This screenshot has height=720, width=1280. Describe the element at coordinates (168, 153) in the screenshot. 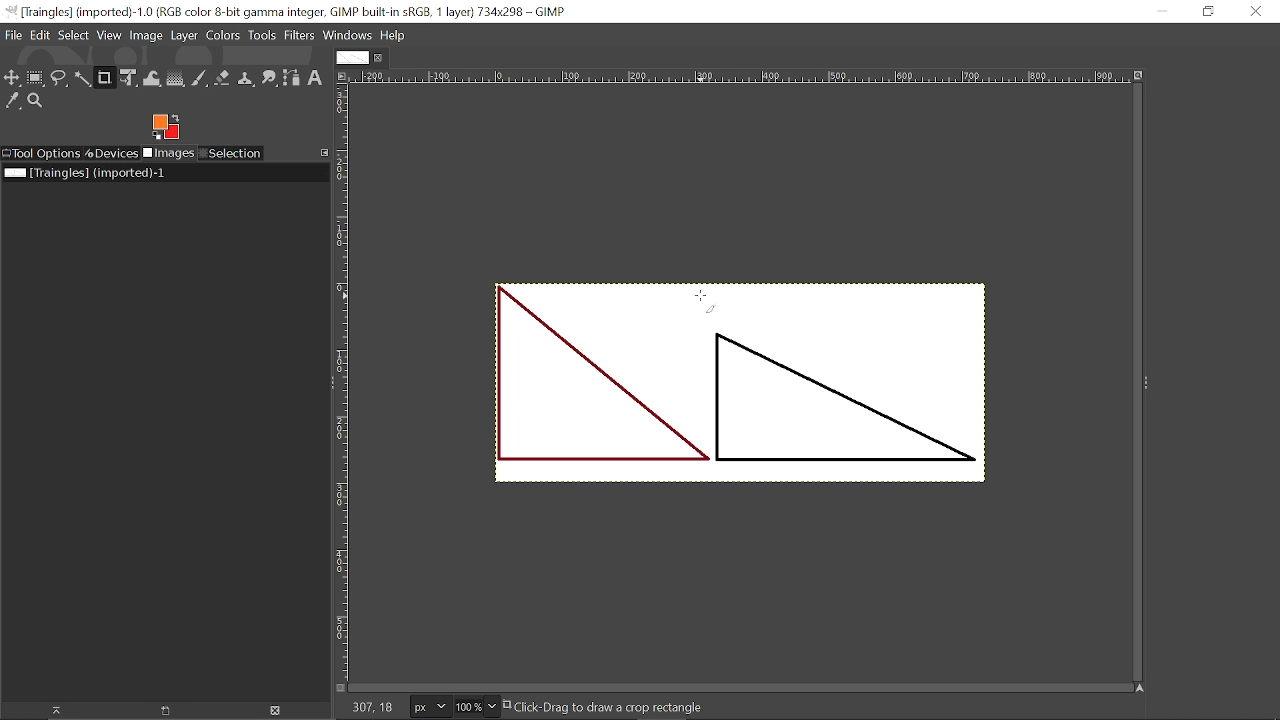

I see `Images` at that location.